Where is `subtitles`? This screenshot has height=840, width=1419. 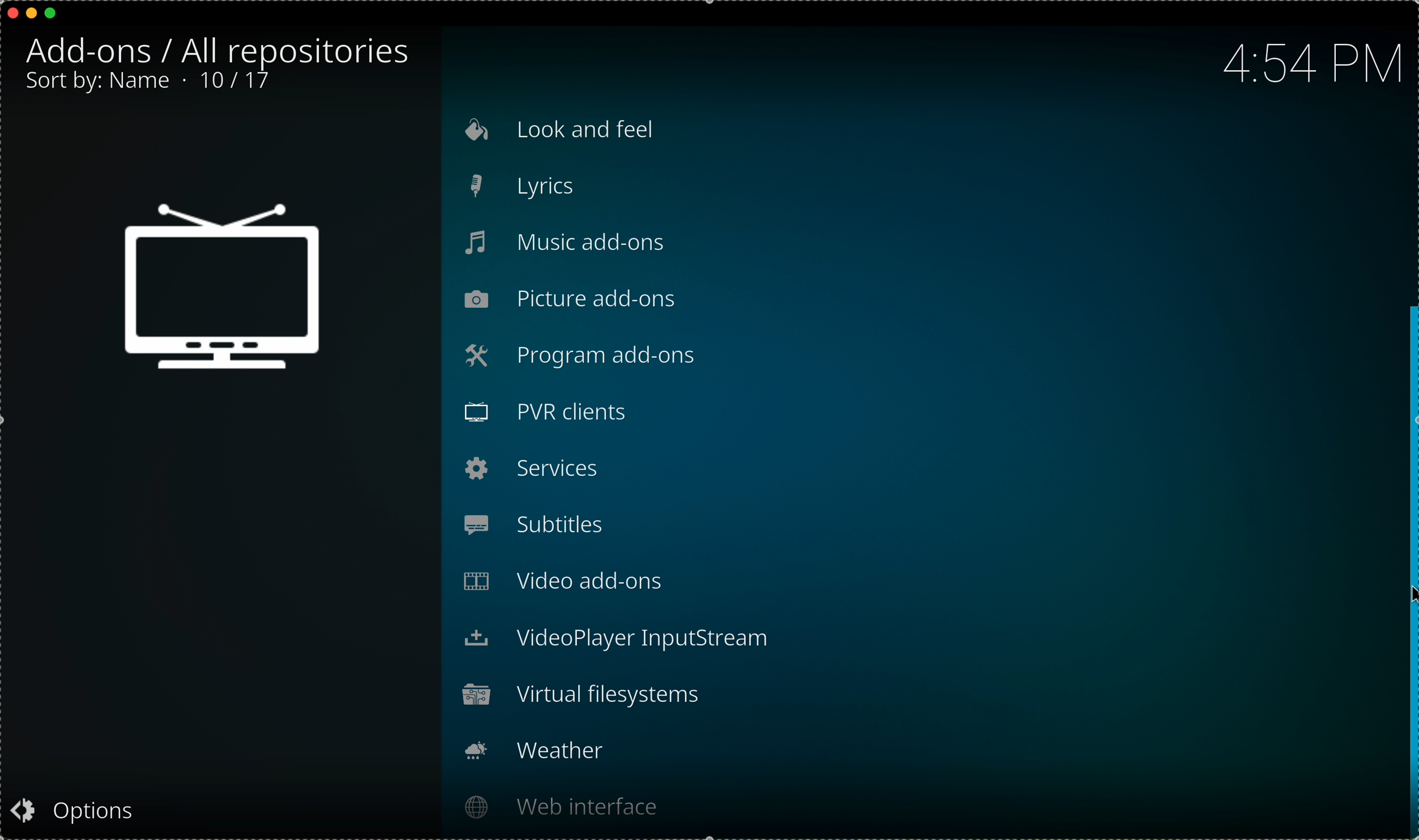 subtitles is located at coordinates (565, 523).